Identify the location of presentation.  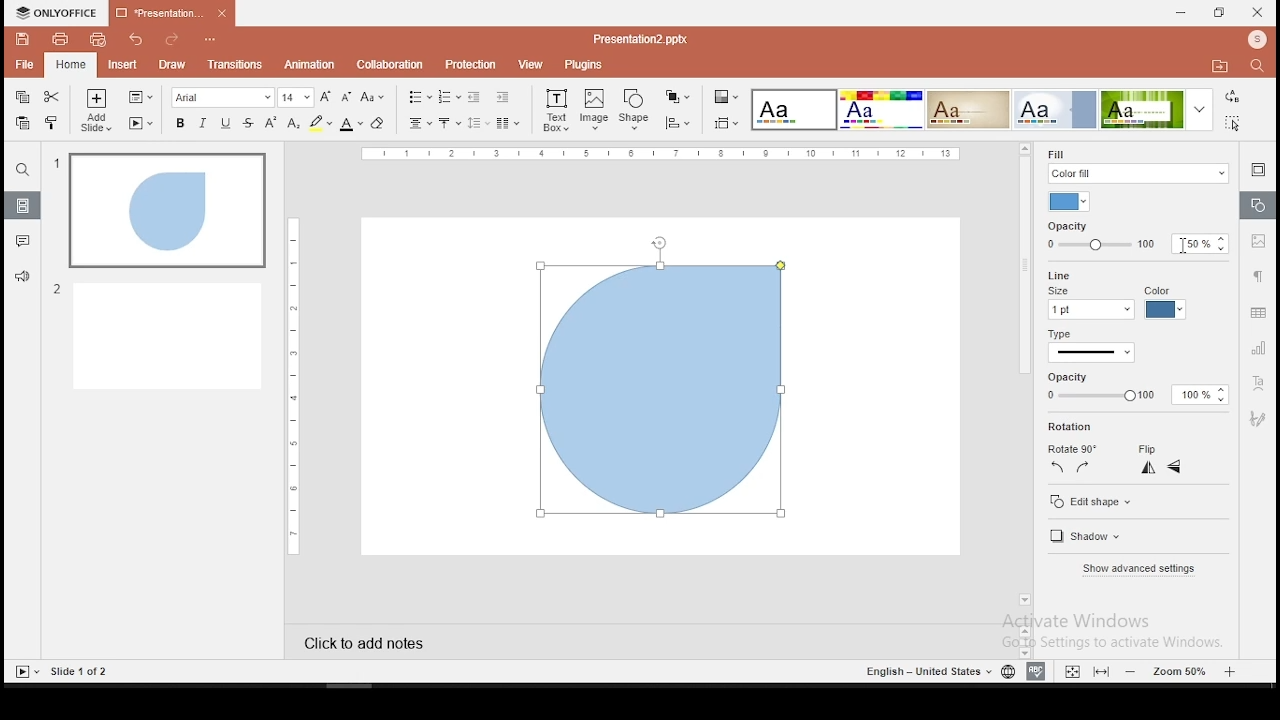
(170, 14).